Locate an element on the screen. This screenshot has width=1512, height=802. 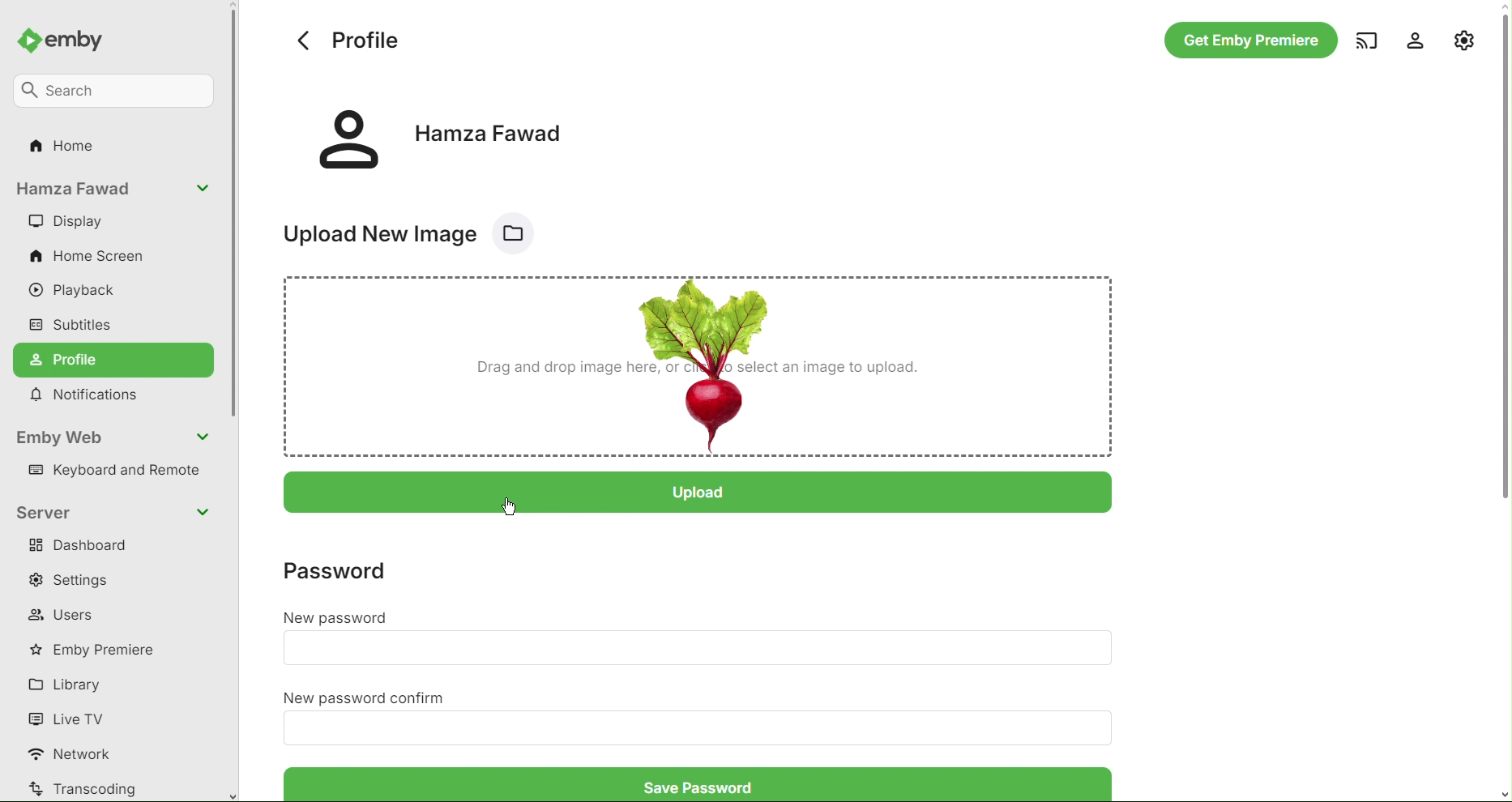
Search is located at coordinates (117, 88).